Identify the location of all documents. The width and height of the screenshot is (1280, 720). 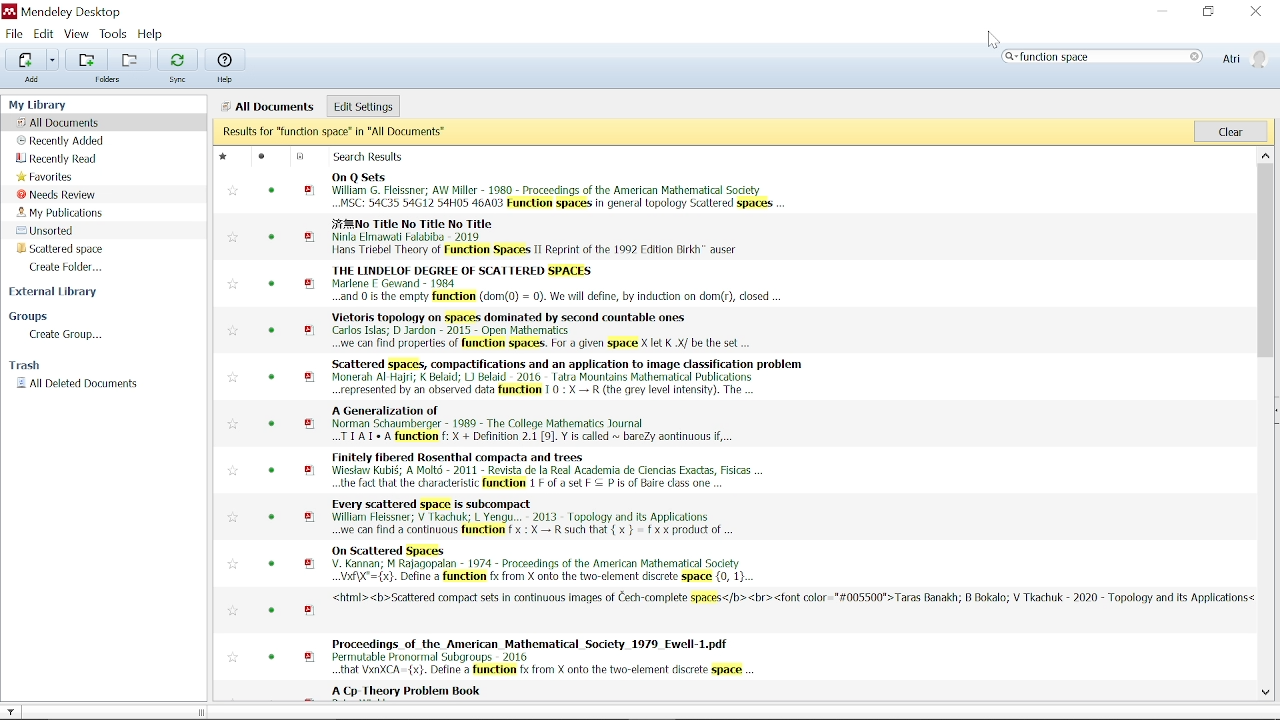
(270, 105).